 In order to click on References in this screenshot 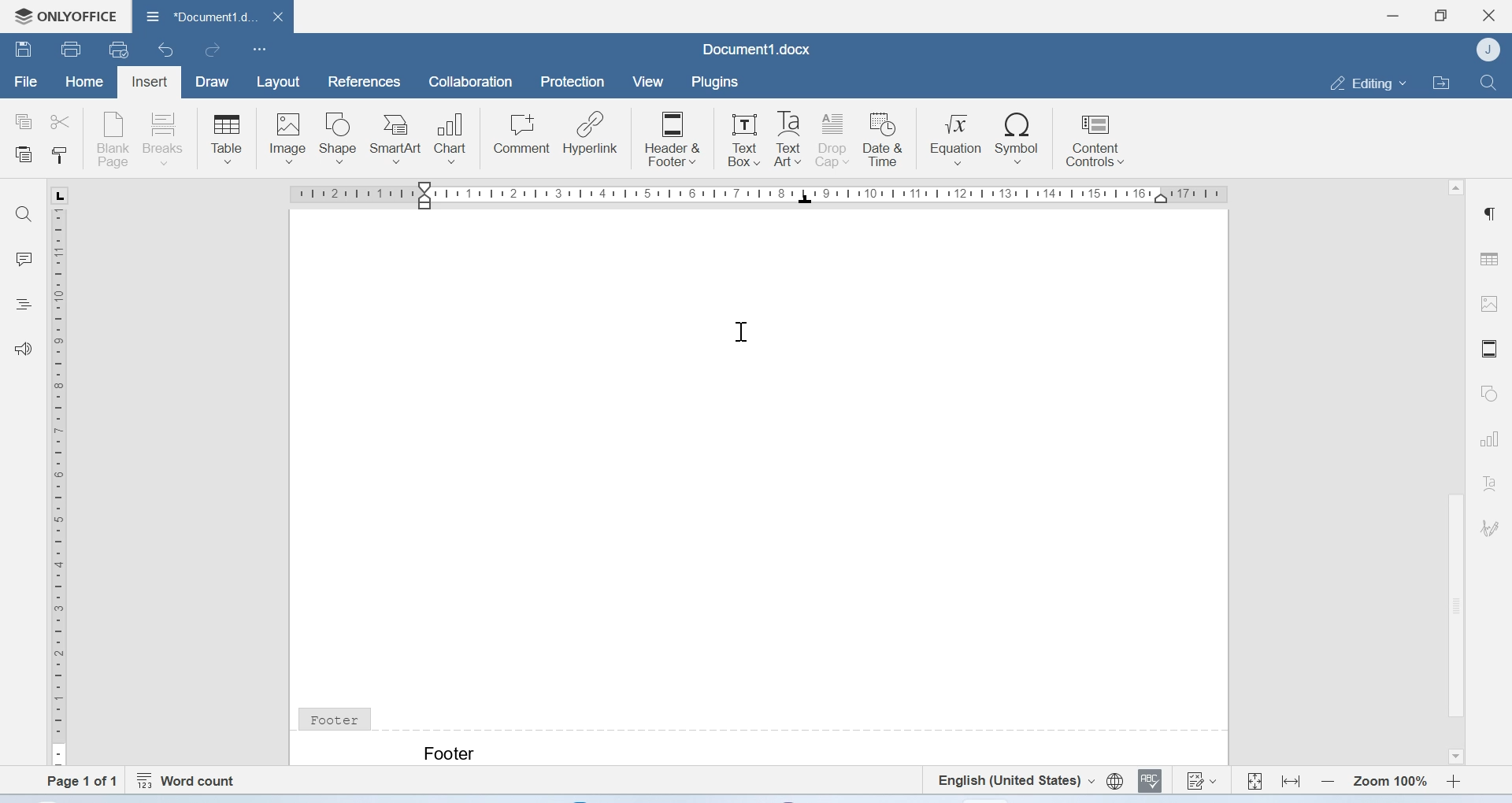, I will do `click(361, 81)`.